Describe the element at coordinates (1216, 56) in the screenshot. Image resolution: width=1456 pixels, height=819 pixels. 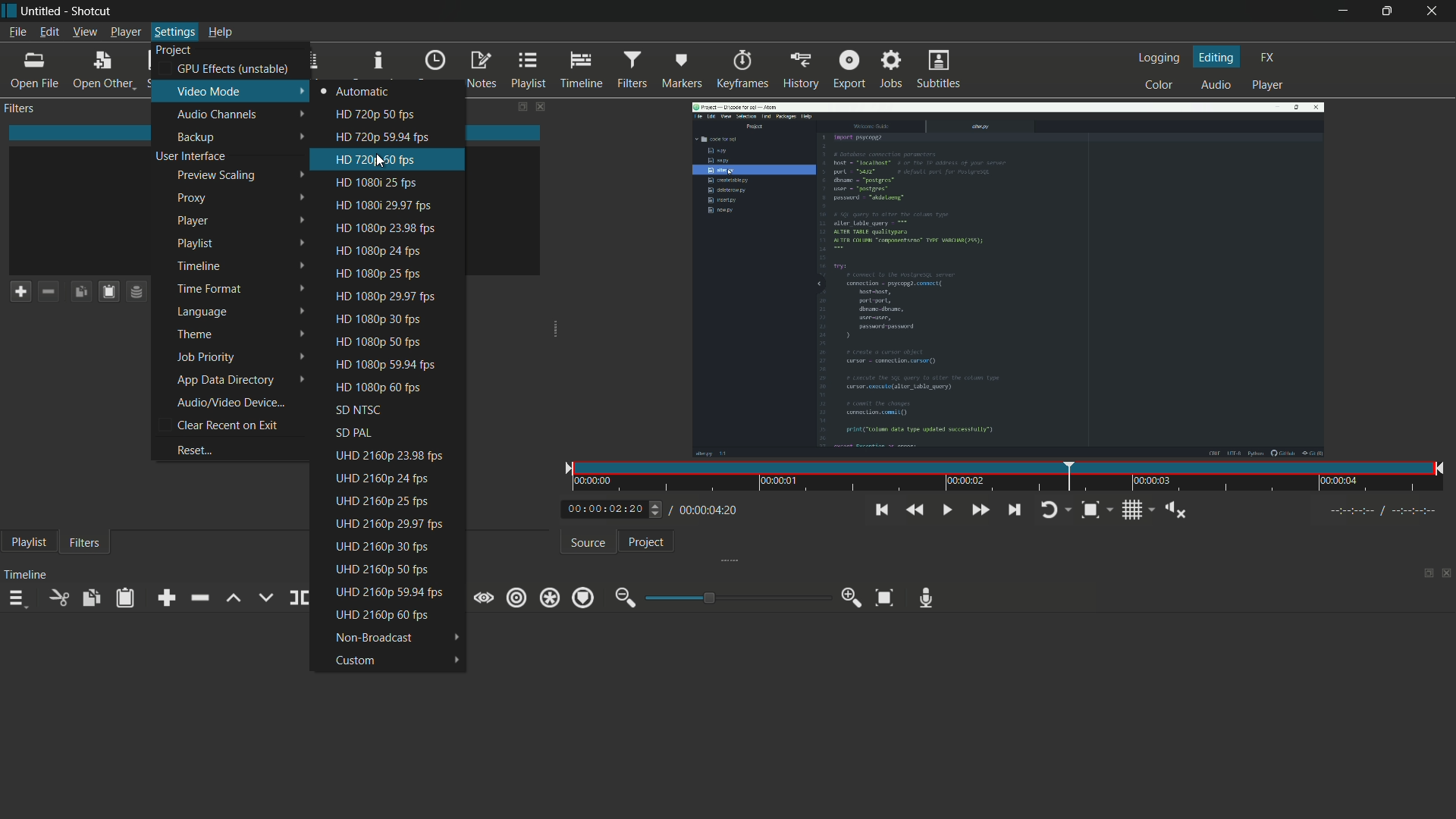
I see `editing` at that location.